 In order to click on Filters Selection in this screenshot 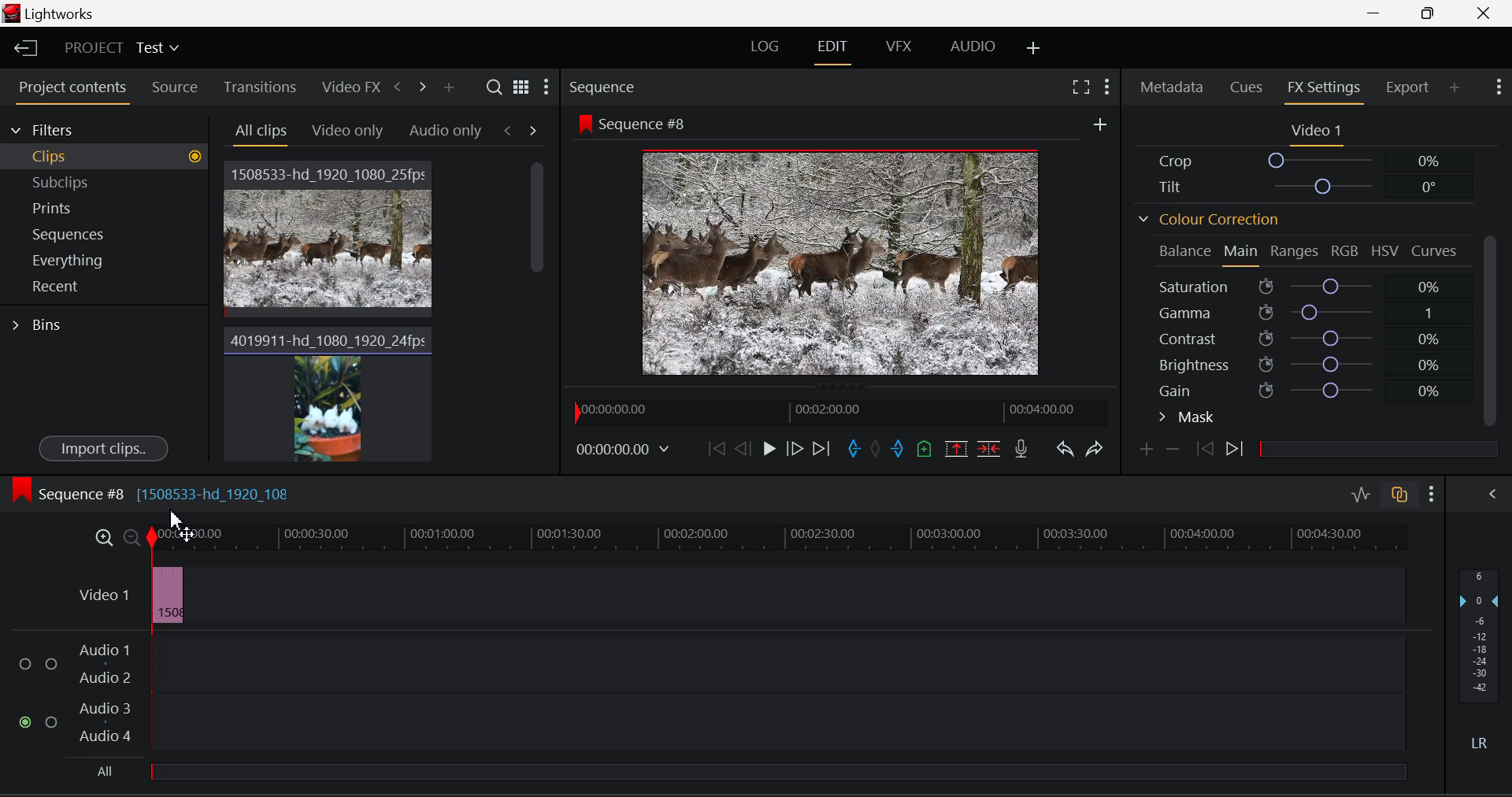, I will do `click(102, 129)`.